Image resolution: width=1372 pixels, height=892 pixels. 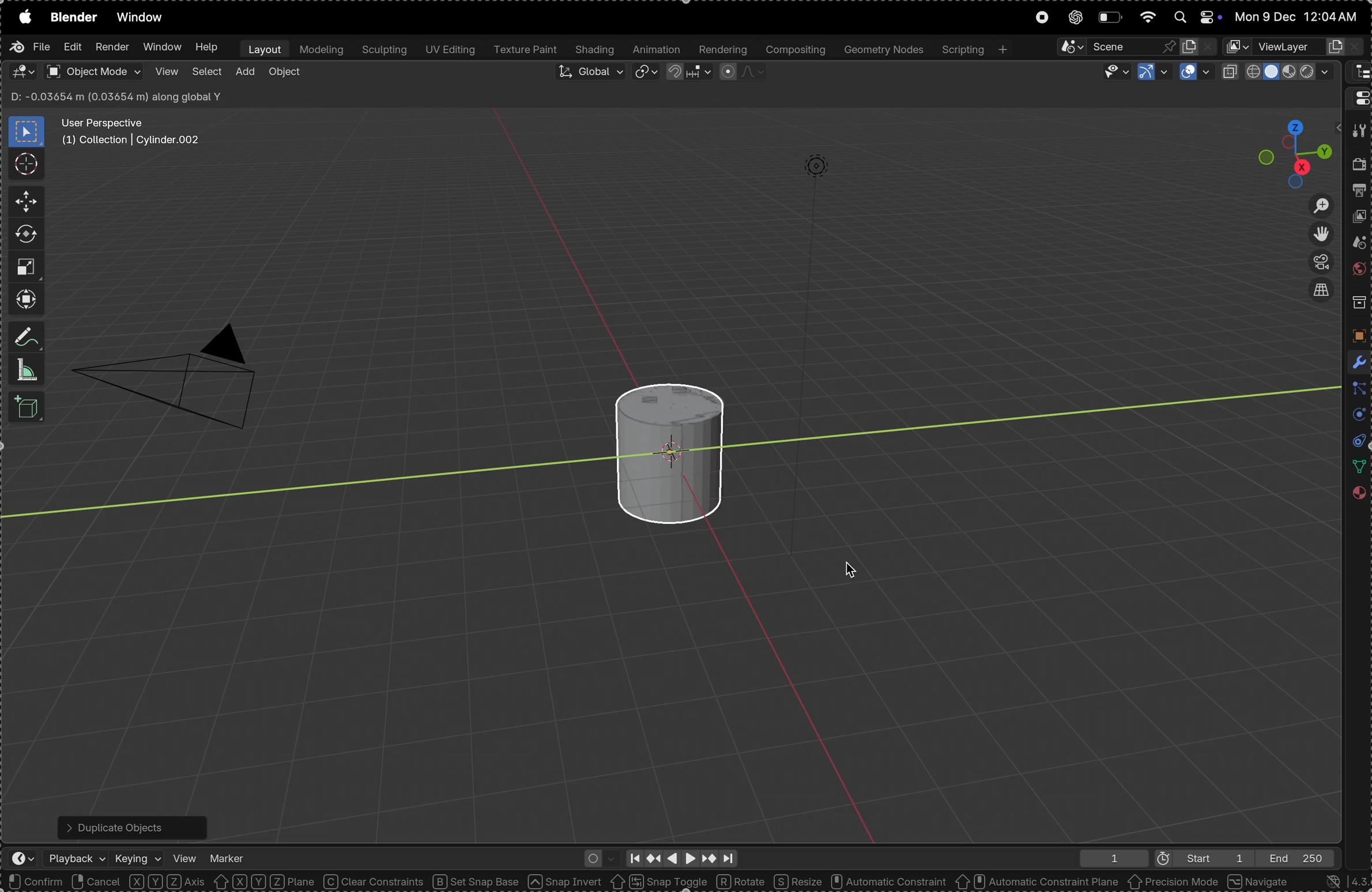 I want to click on annotate measure, so click(x=28, y=338).